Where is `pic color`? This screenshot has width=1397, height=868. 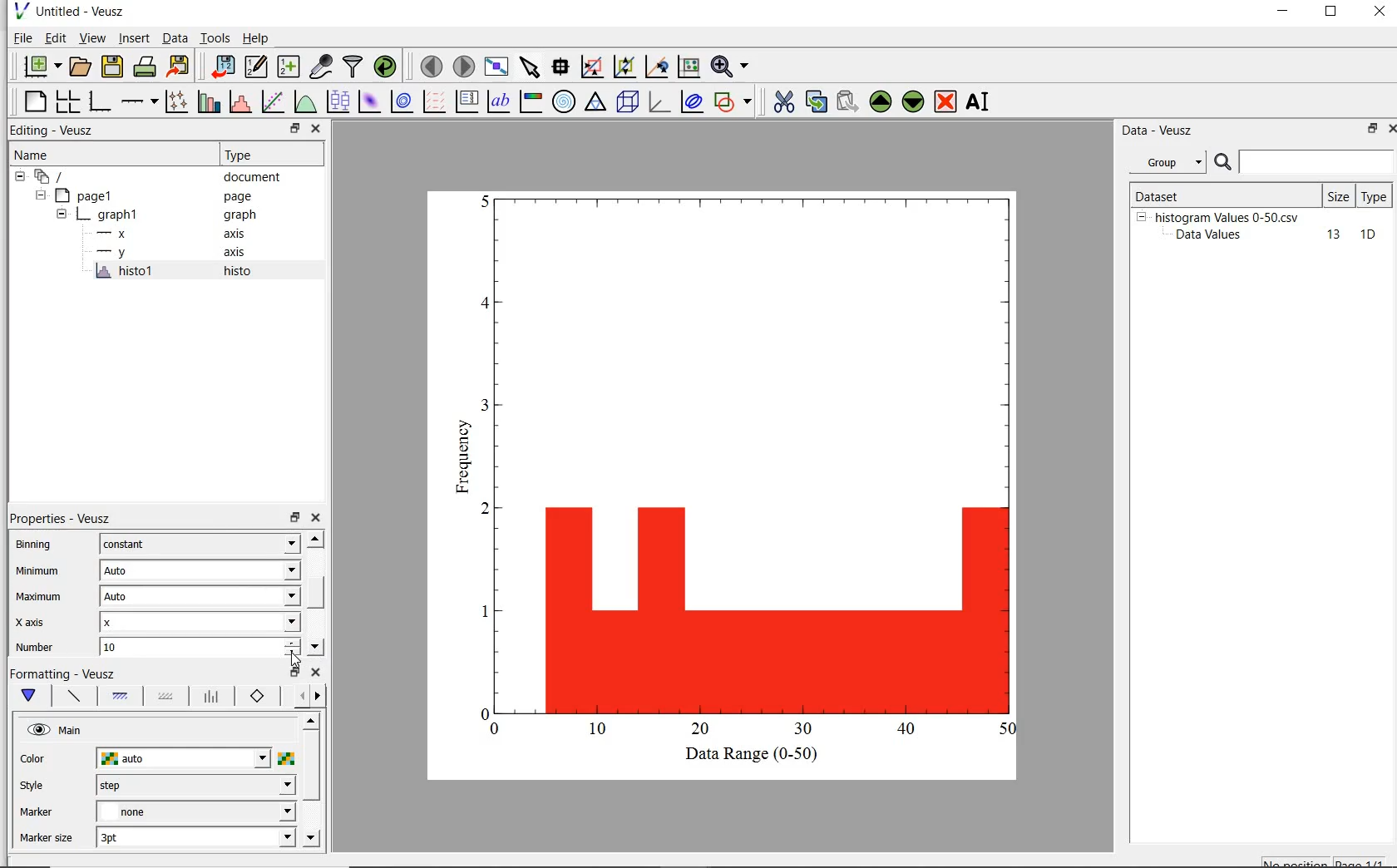 pic color is located at coordinates (286, 758).